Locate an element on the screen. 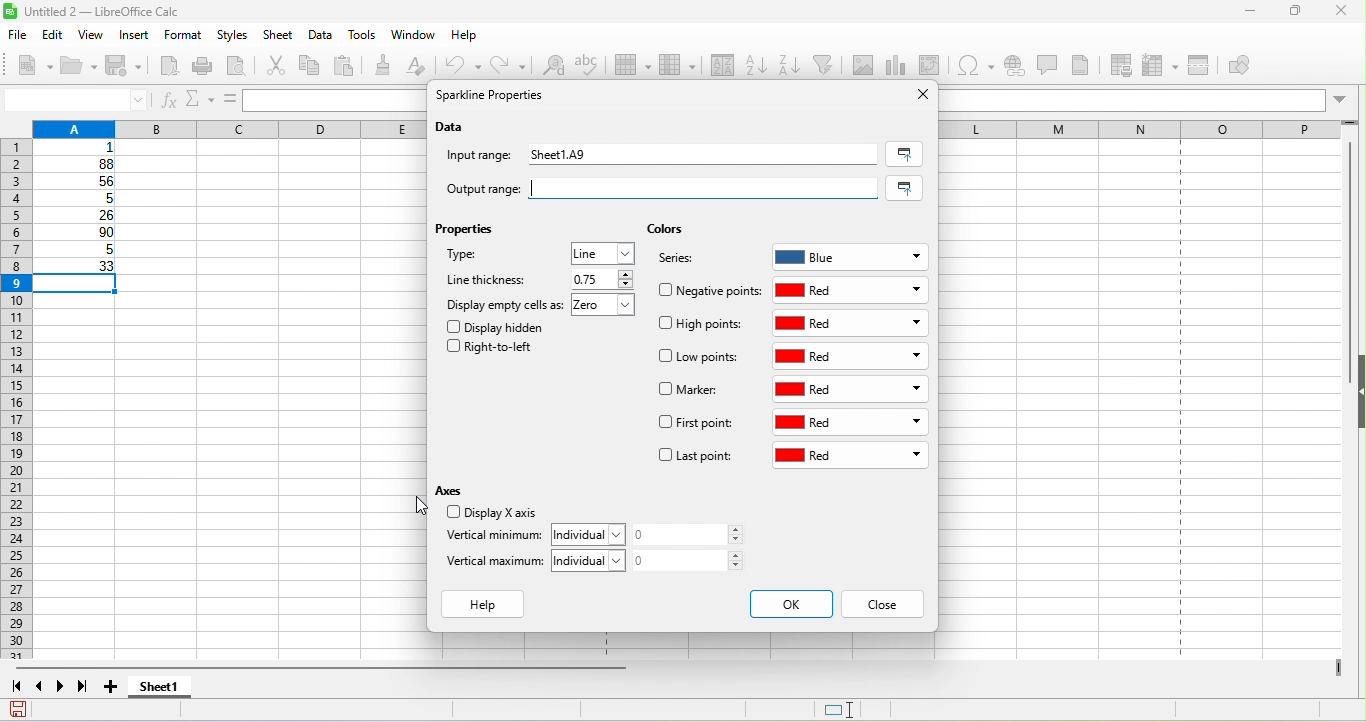 Image resolution: width=1366 pixels, height=722 pixels. properties is located at coordinates (469, 233).